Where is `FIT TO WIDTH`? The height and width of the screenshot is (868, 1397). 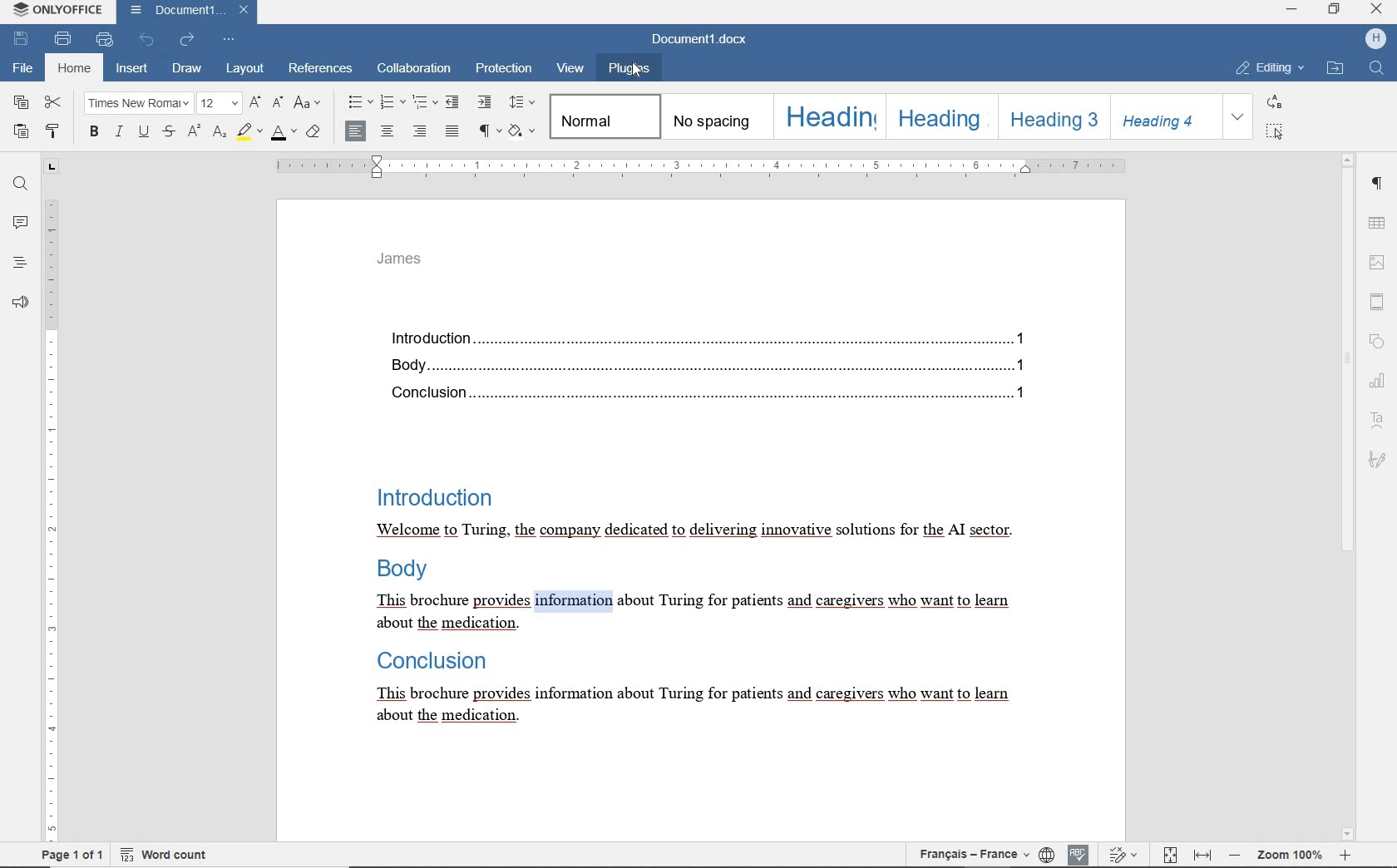
FIT TO WIDTH is located at coordinates (1203, 854).